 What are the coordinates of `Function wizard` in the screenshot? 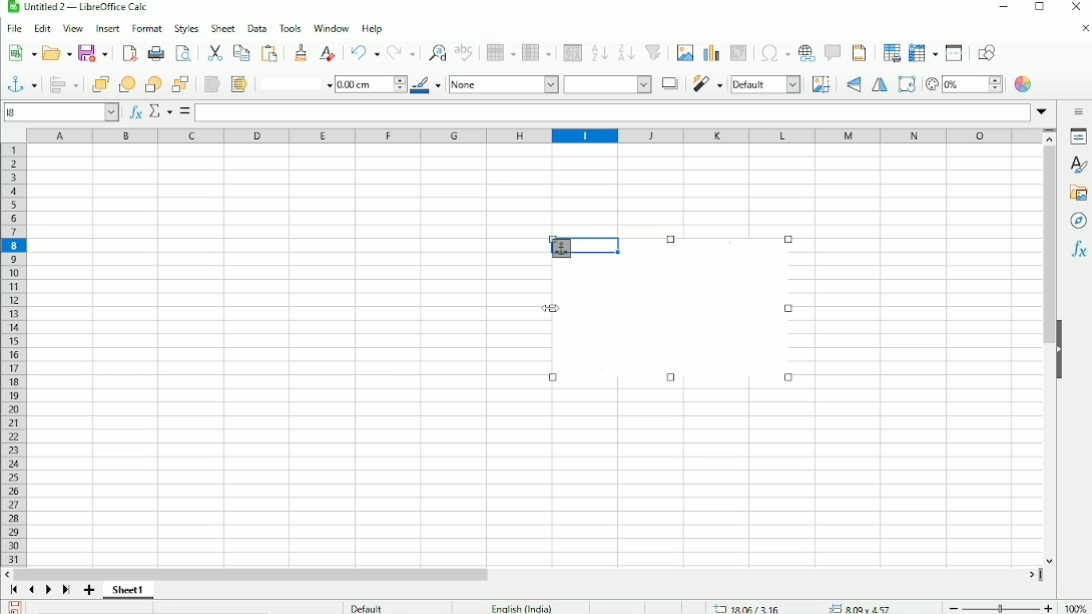 It's located at (133, 112).